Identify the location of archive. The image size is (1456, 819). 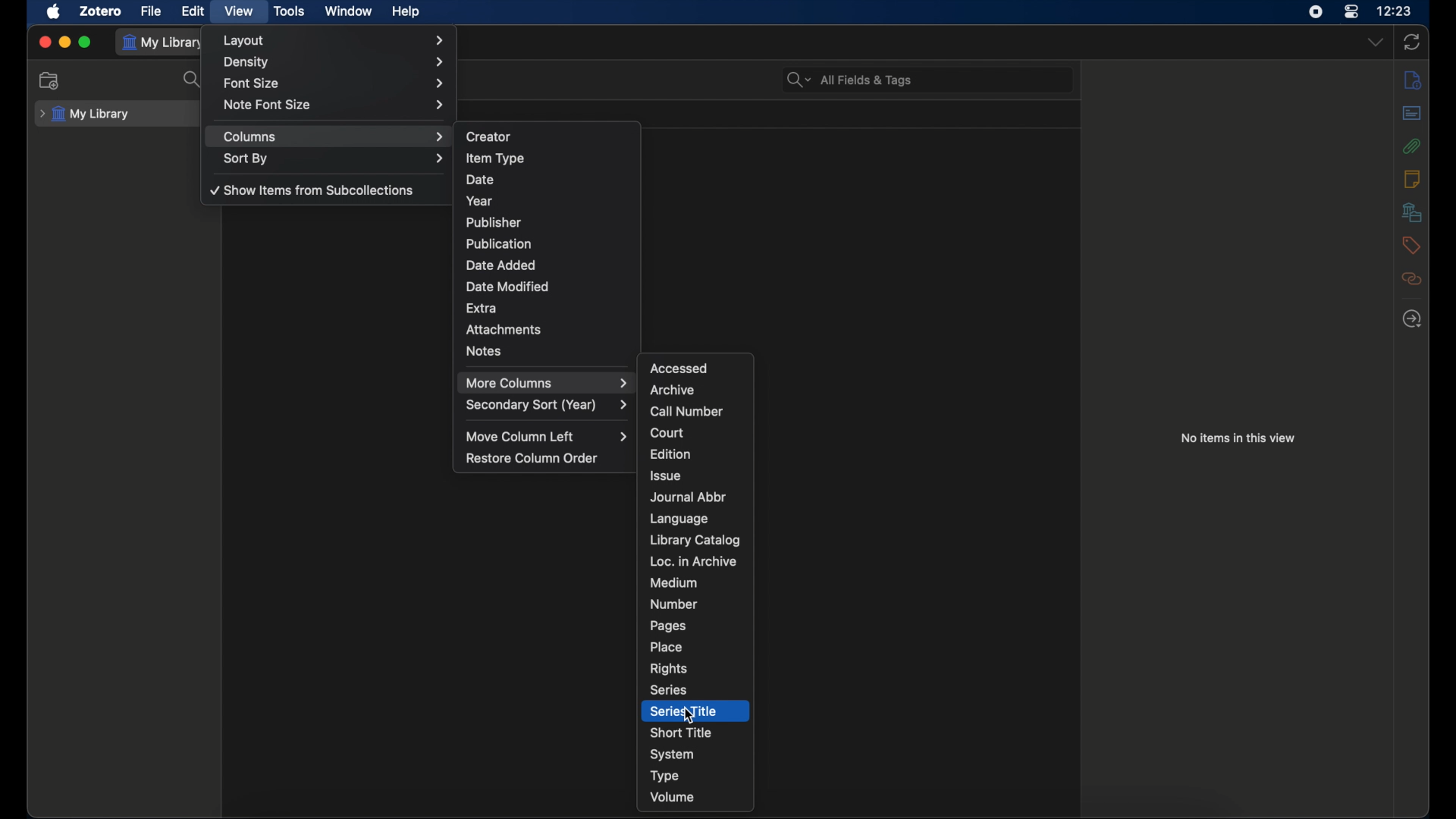
(673, 391).